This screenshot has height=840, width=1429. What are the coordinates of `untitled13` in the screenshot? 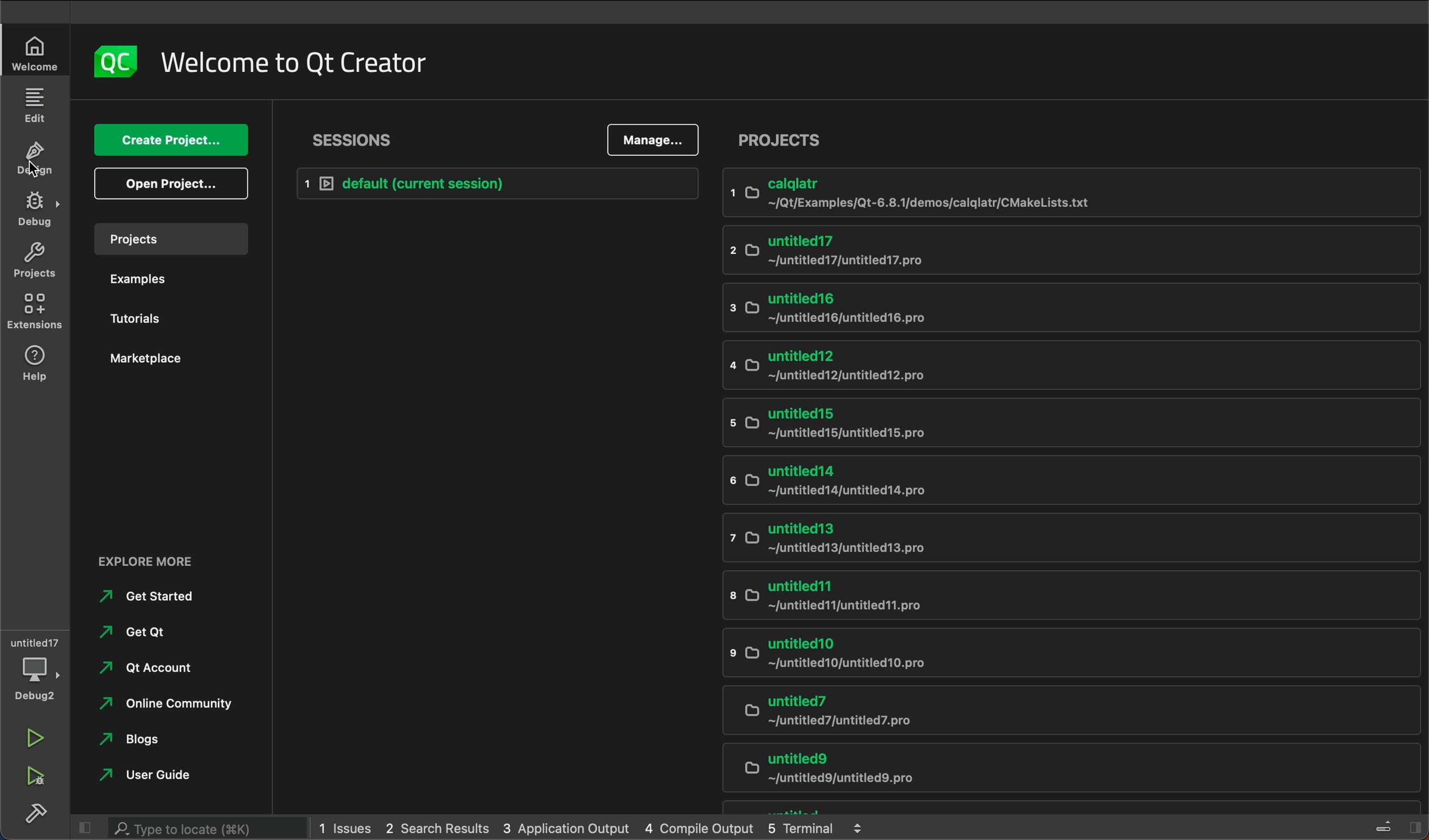 It's located at (1050, 541).